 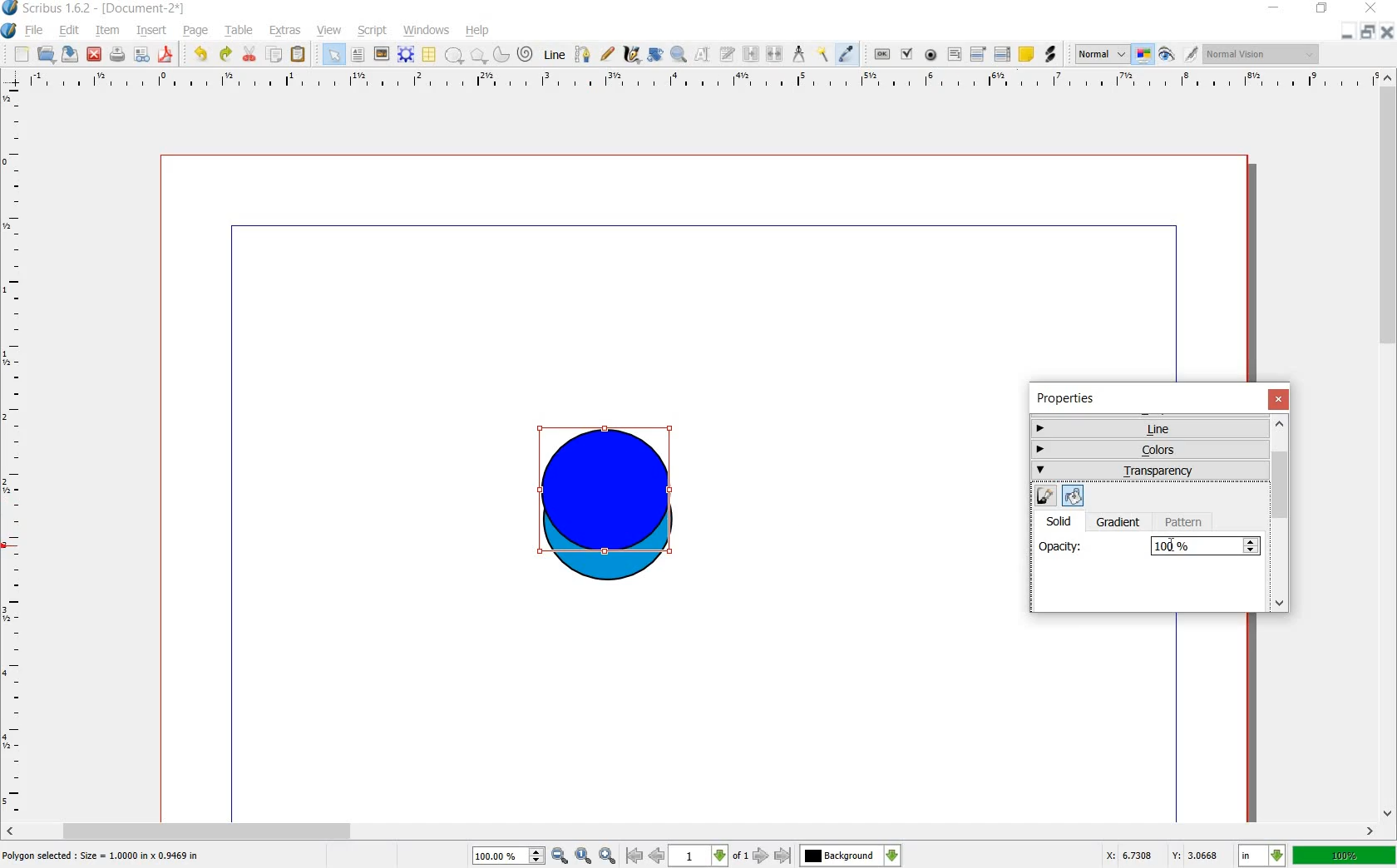 What do you see at coordinates (1143, 54) in the screenshot?
I see `toggle color management system` at bounding box center [1143, 54].